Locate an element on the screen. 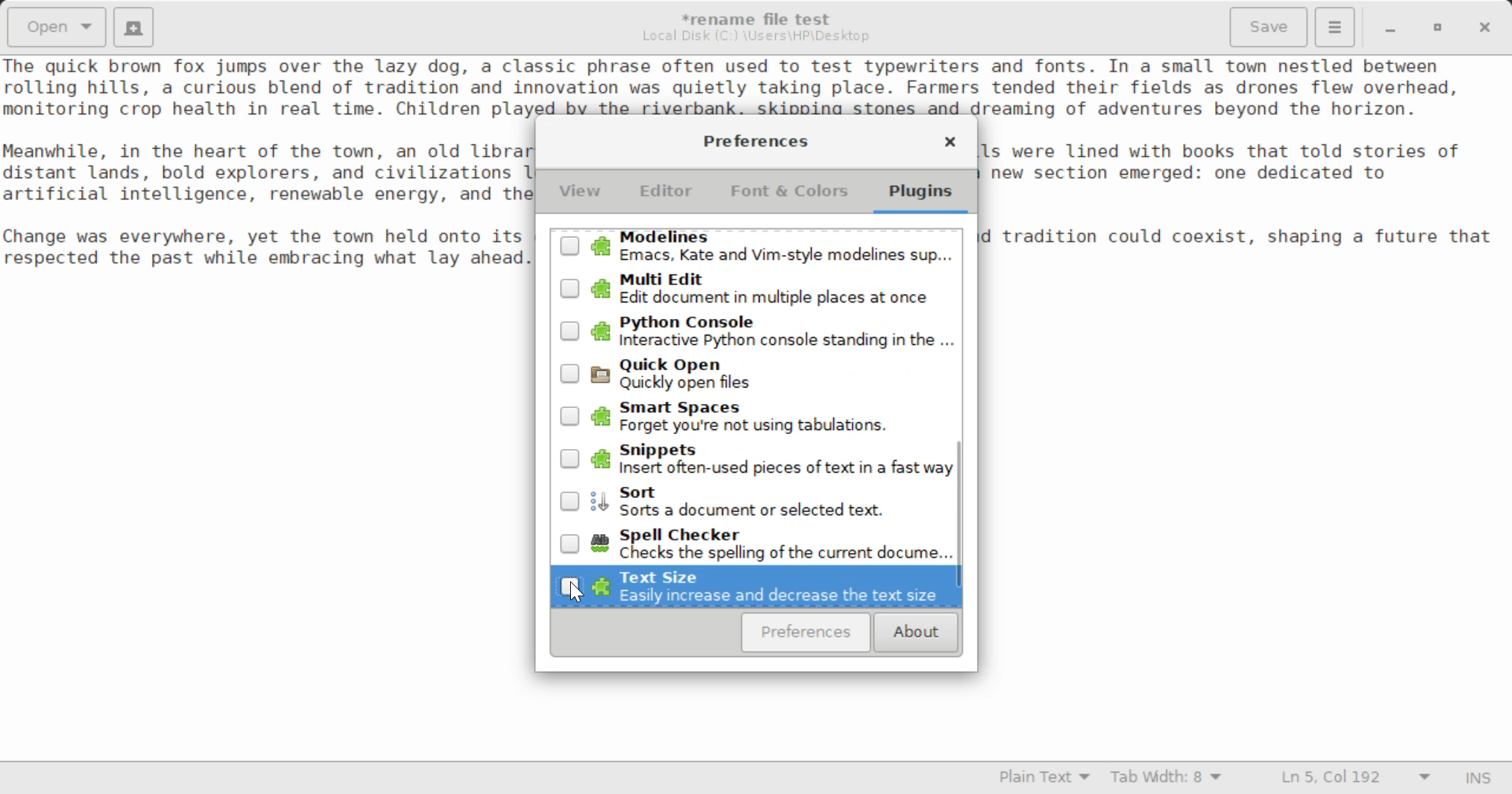  Python Console Plugin Button Unselected is located at coordinates (756, 329).